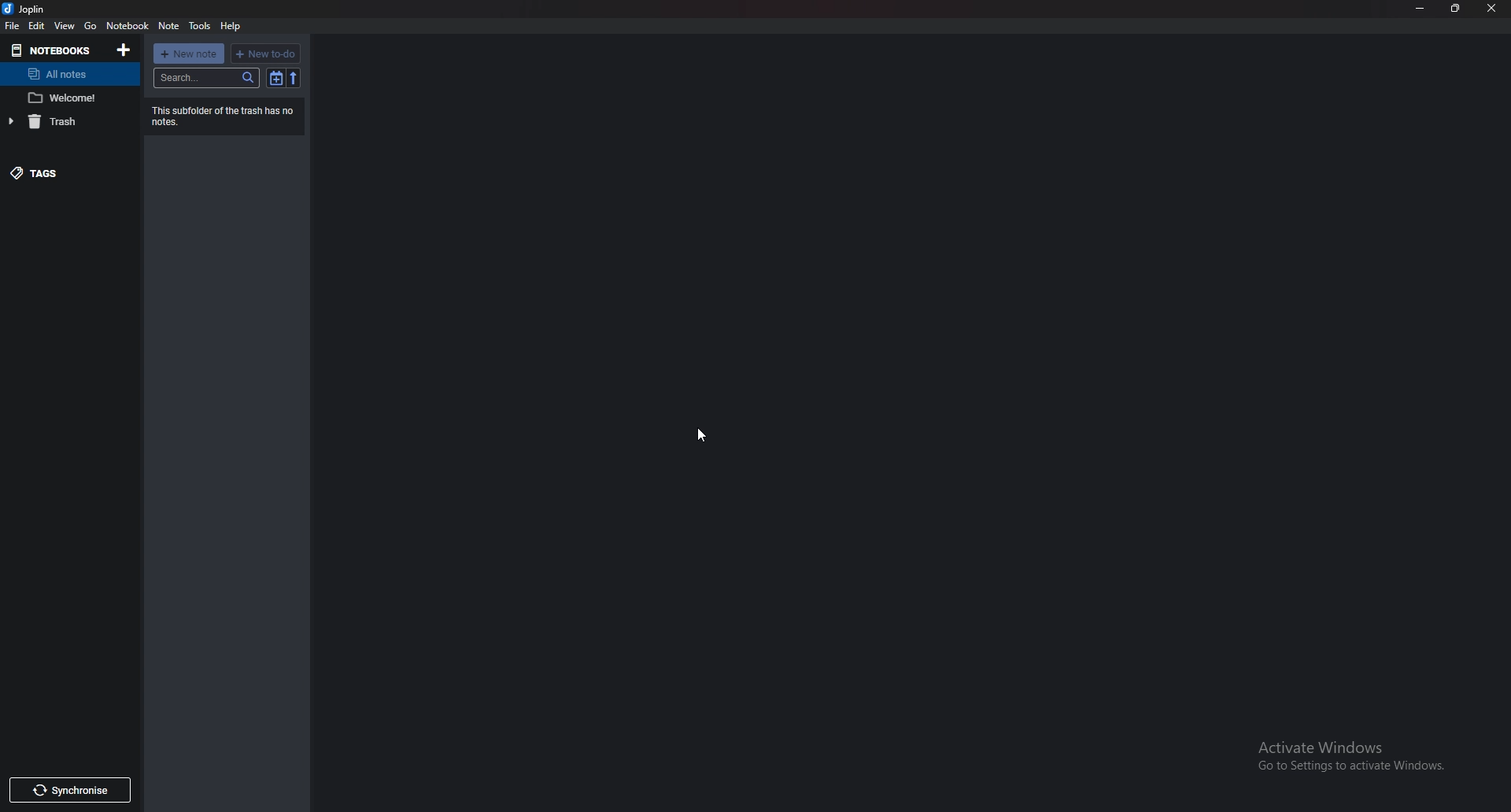 The width and height of the screenshot is (1511, 812). What do you see at coordinates (201, 25) in the screenshot?
I see `tools` at bounding box center [201, 25].